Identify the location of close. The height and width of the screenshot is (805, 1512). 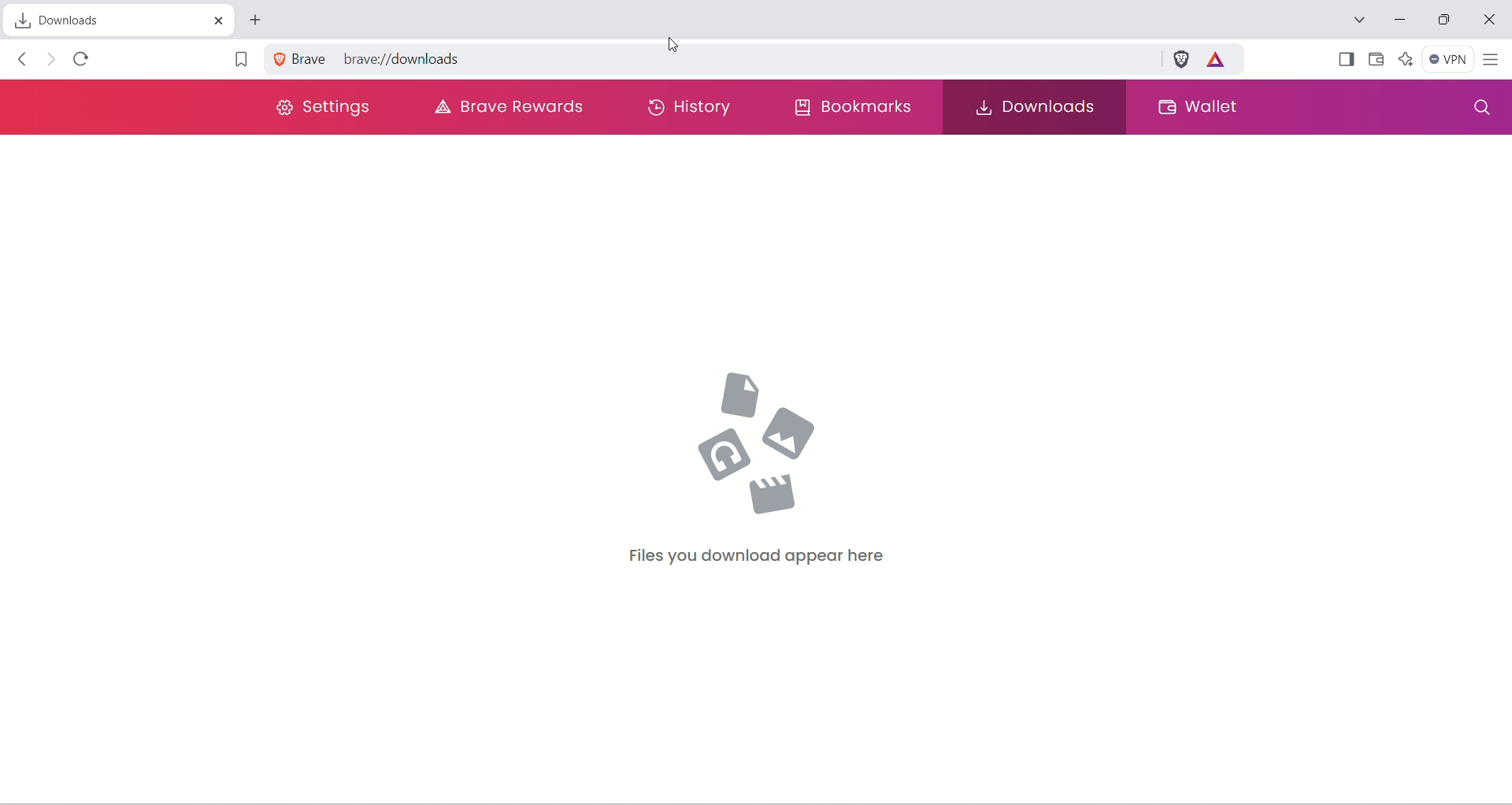
(1485, 22).